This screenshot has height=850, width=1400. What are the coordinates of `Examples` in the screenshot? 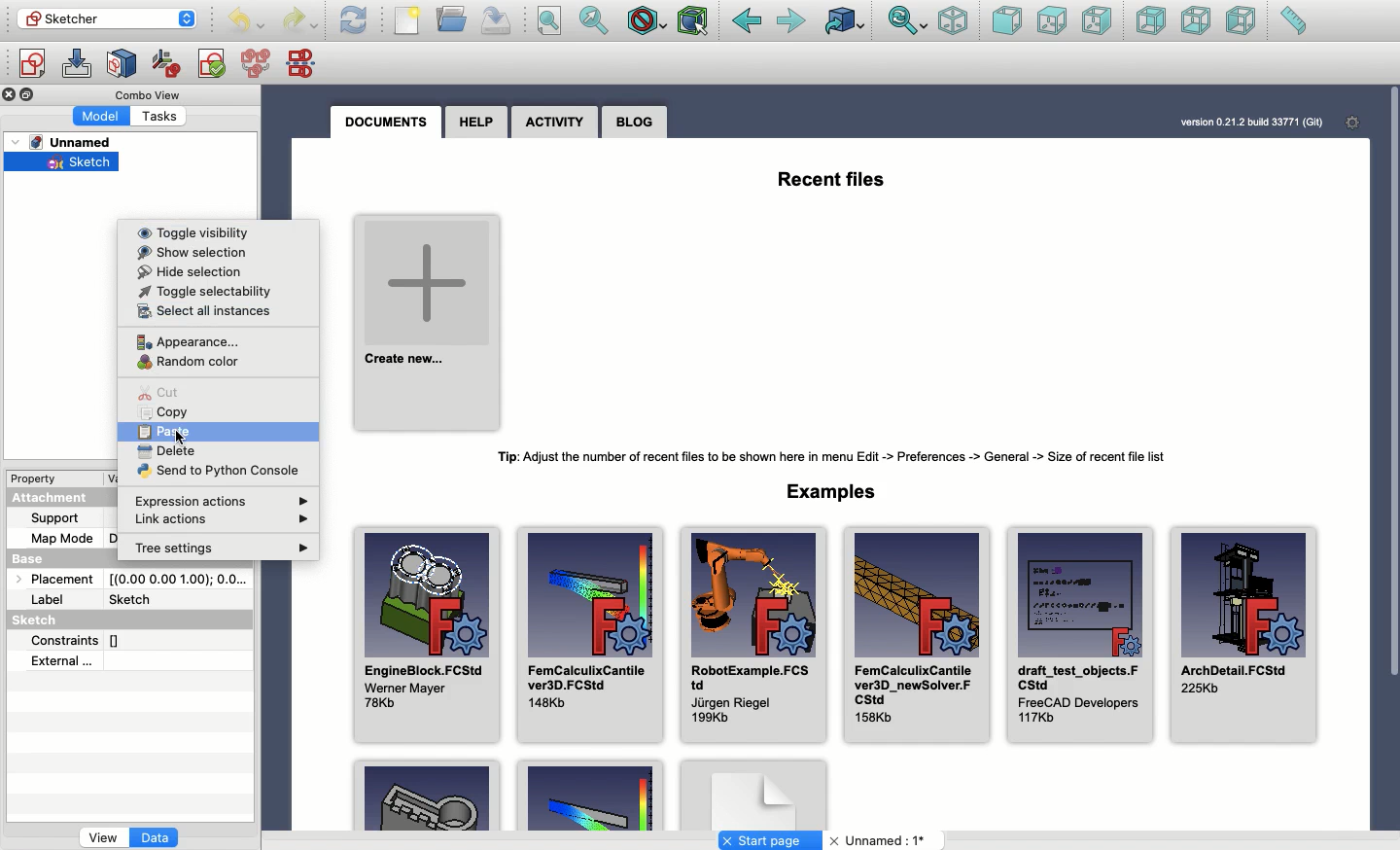 It's located at (837, 490).